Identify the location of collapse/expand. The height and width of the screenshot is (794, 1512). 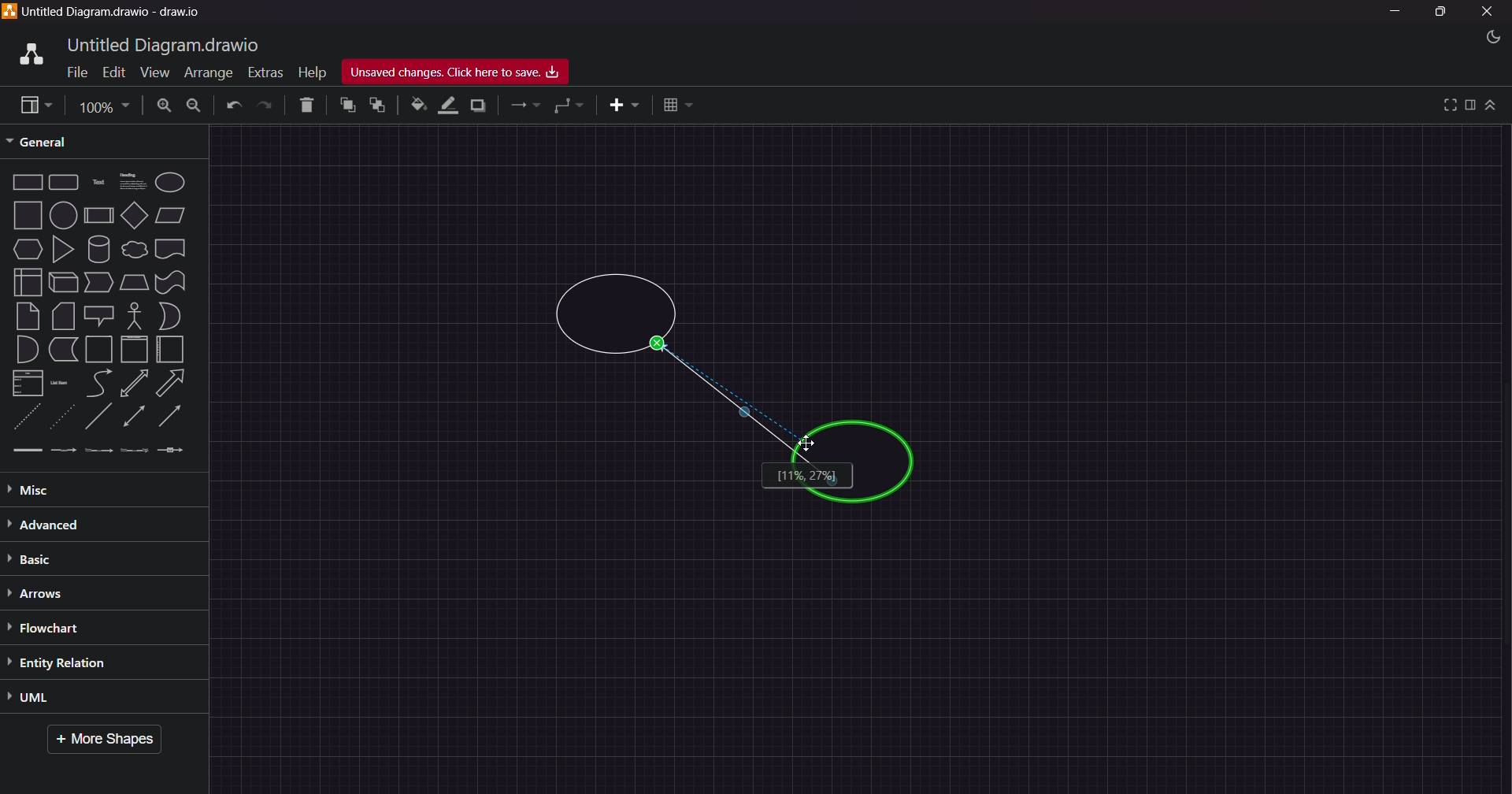
(1492, 106).